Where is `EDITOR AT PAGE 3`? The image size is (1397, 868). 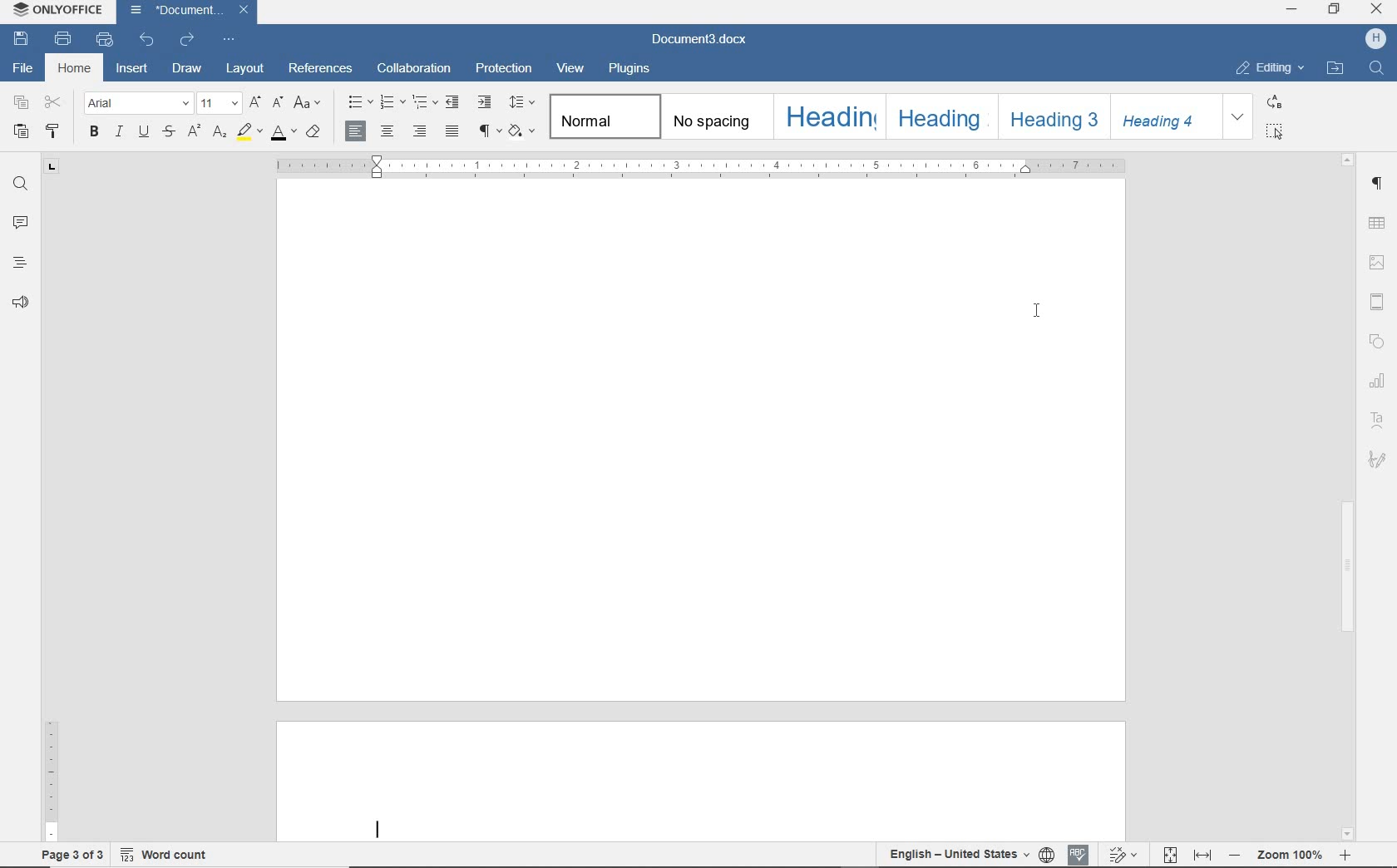
EDITOR AT PAGE 3 is located at coordinates (385, 830).